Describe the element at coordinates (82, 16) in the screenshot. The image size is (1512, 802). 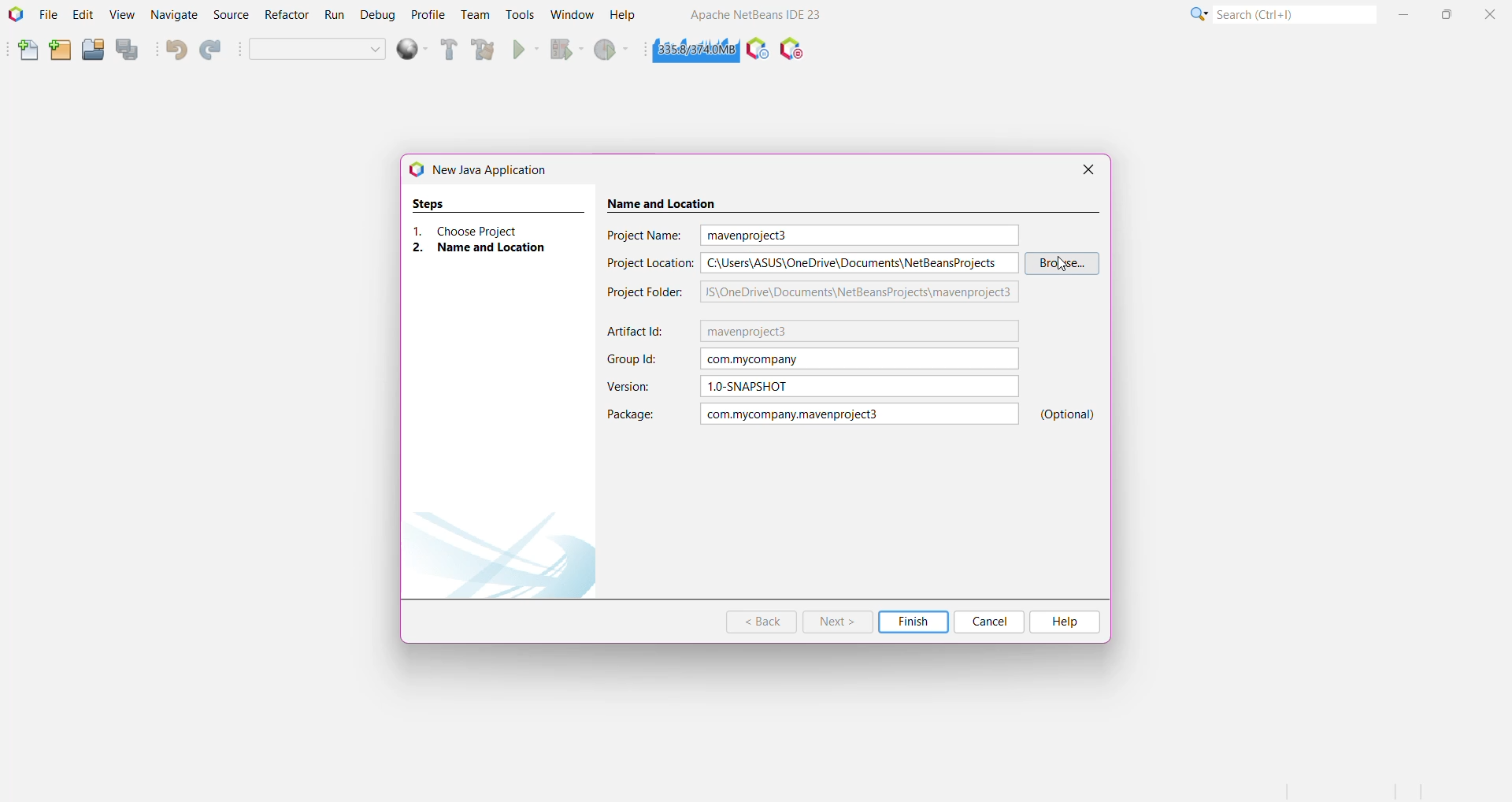
I see `Edit` at that location.